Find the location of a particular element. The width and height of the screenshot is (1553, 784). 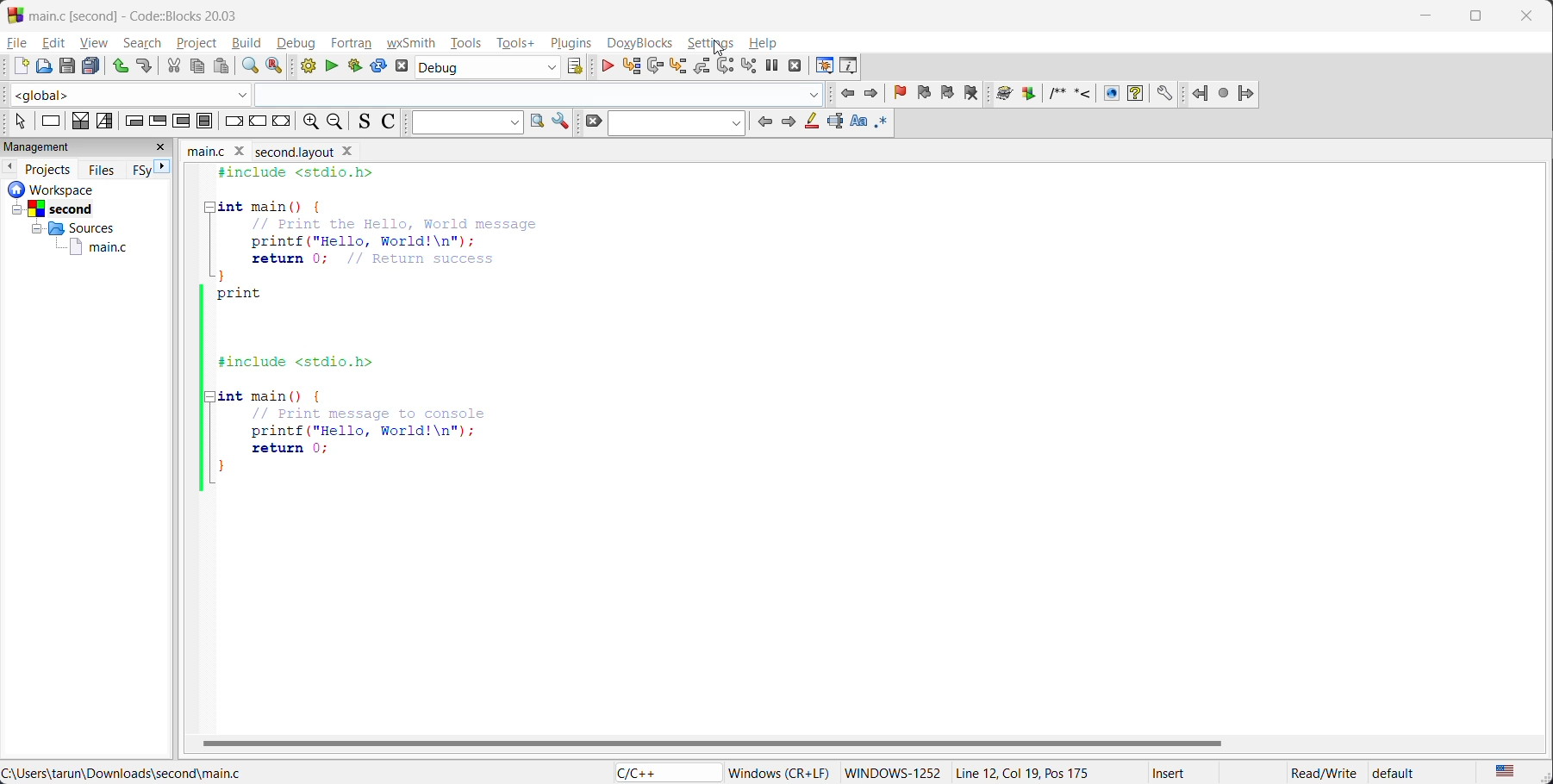

wxsmith is located at coordinates (413, 44).